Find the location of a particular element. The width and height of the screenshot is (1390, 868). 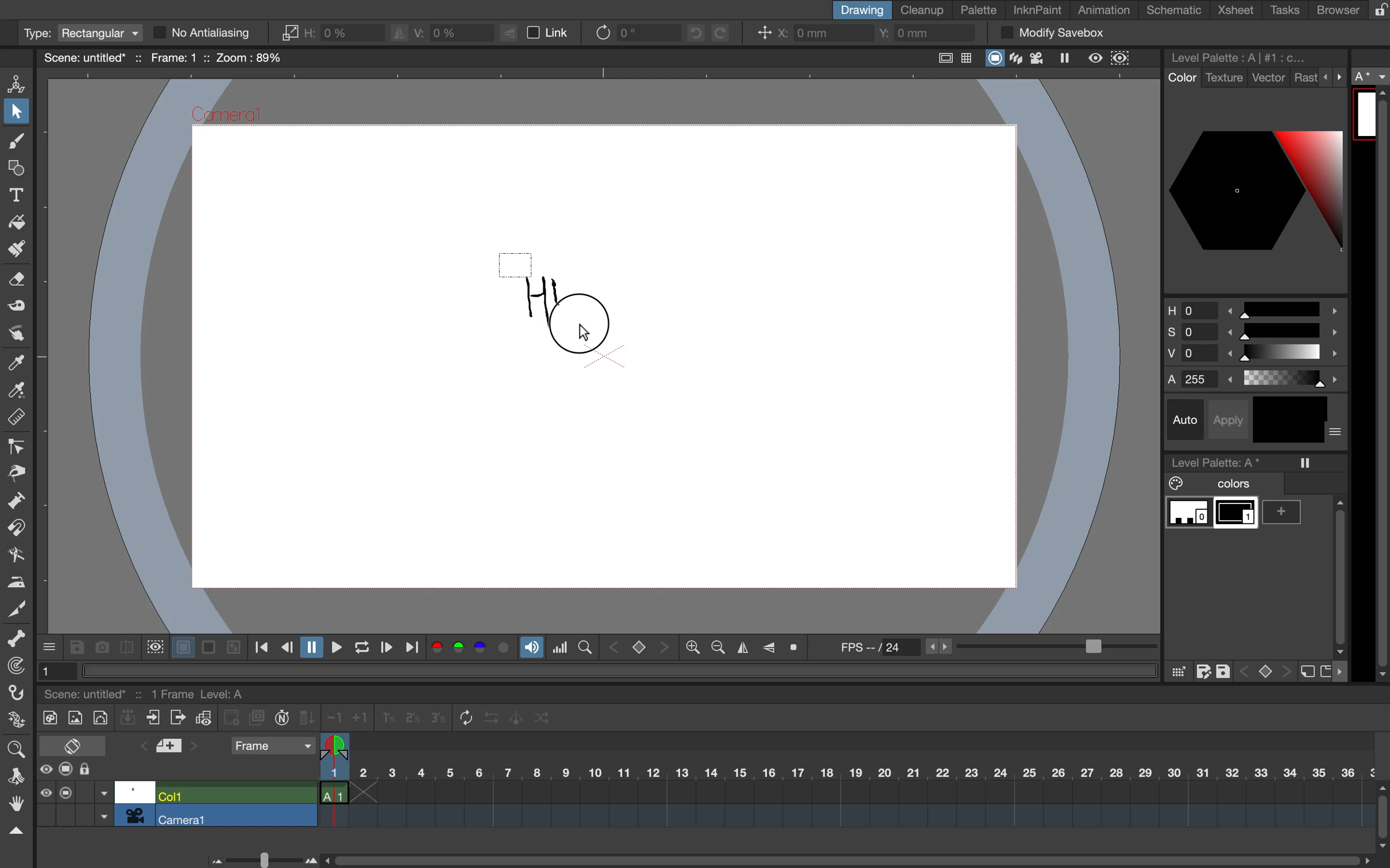

rotate is located at coordinates (628, 32).